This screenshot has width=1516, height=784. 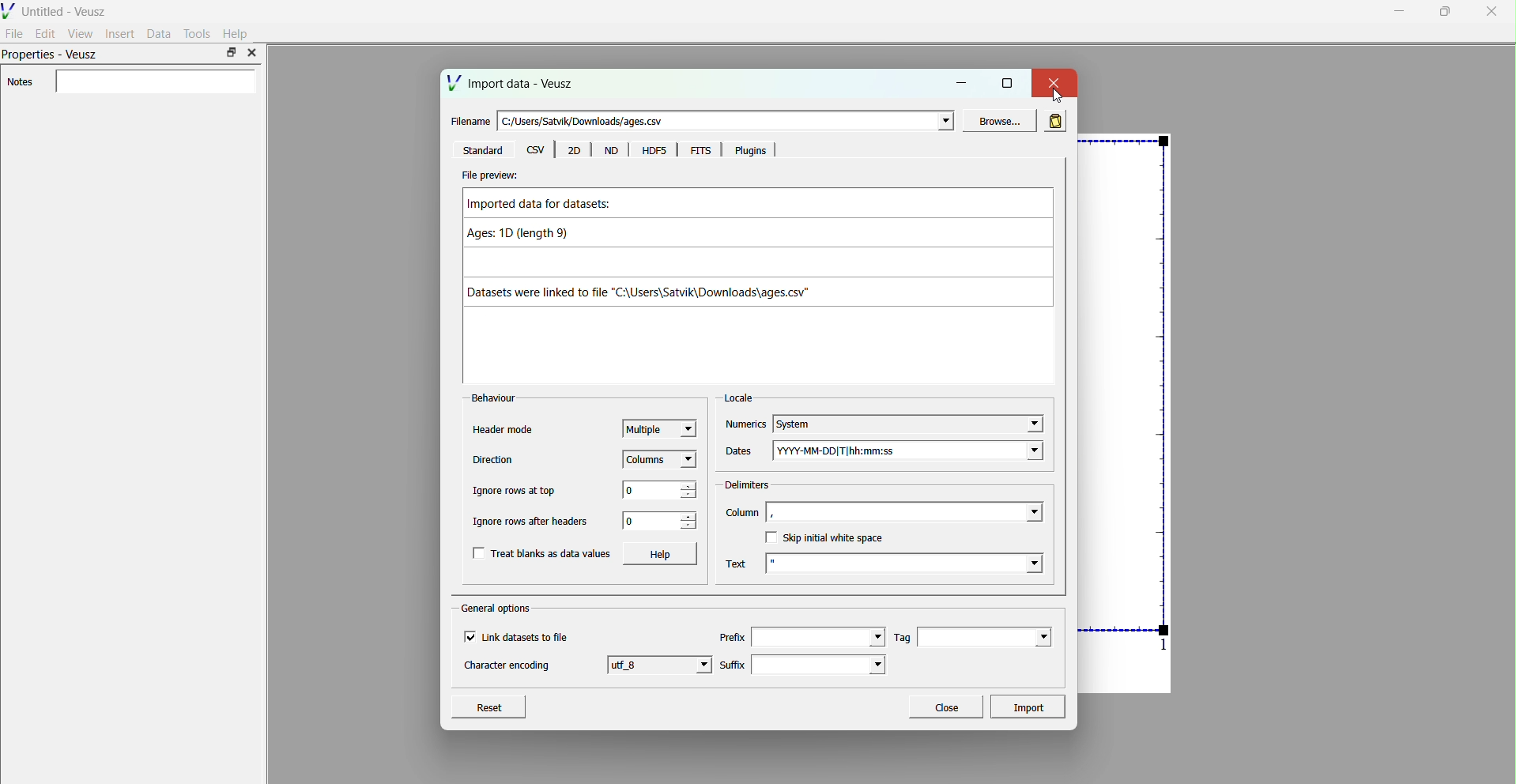 What do you see at coordinates (985, 637) in the screenshot?
I see `Tag field` at bounding box center [985, 637].